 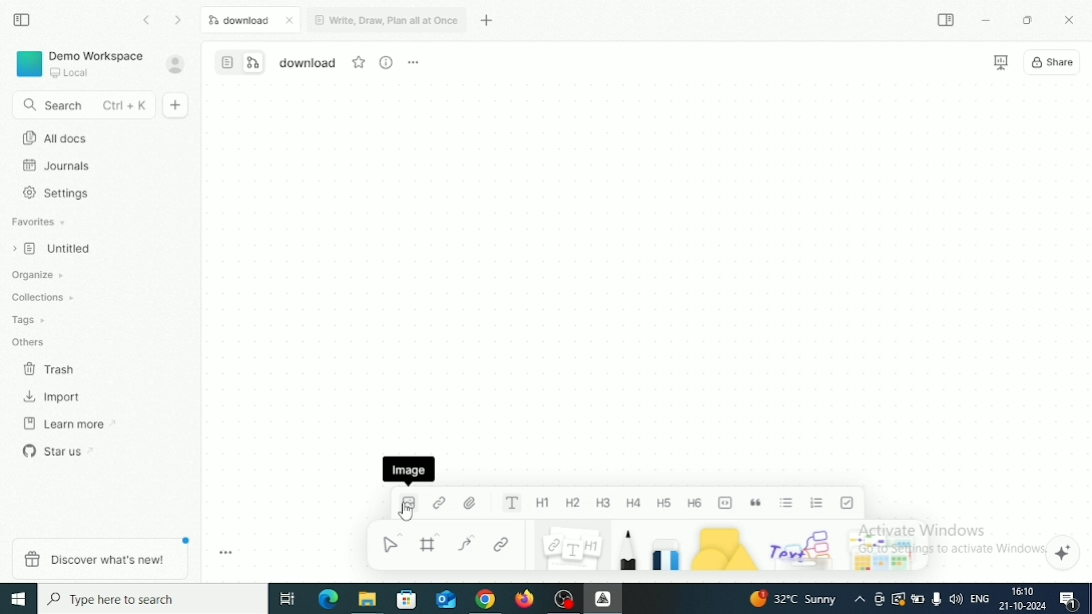 I want to click on Charging, plugged in, so click(x=919, y=597).